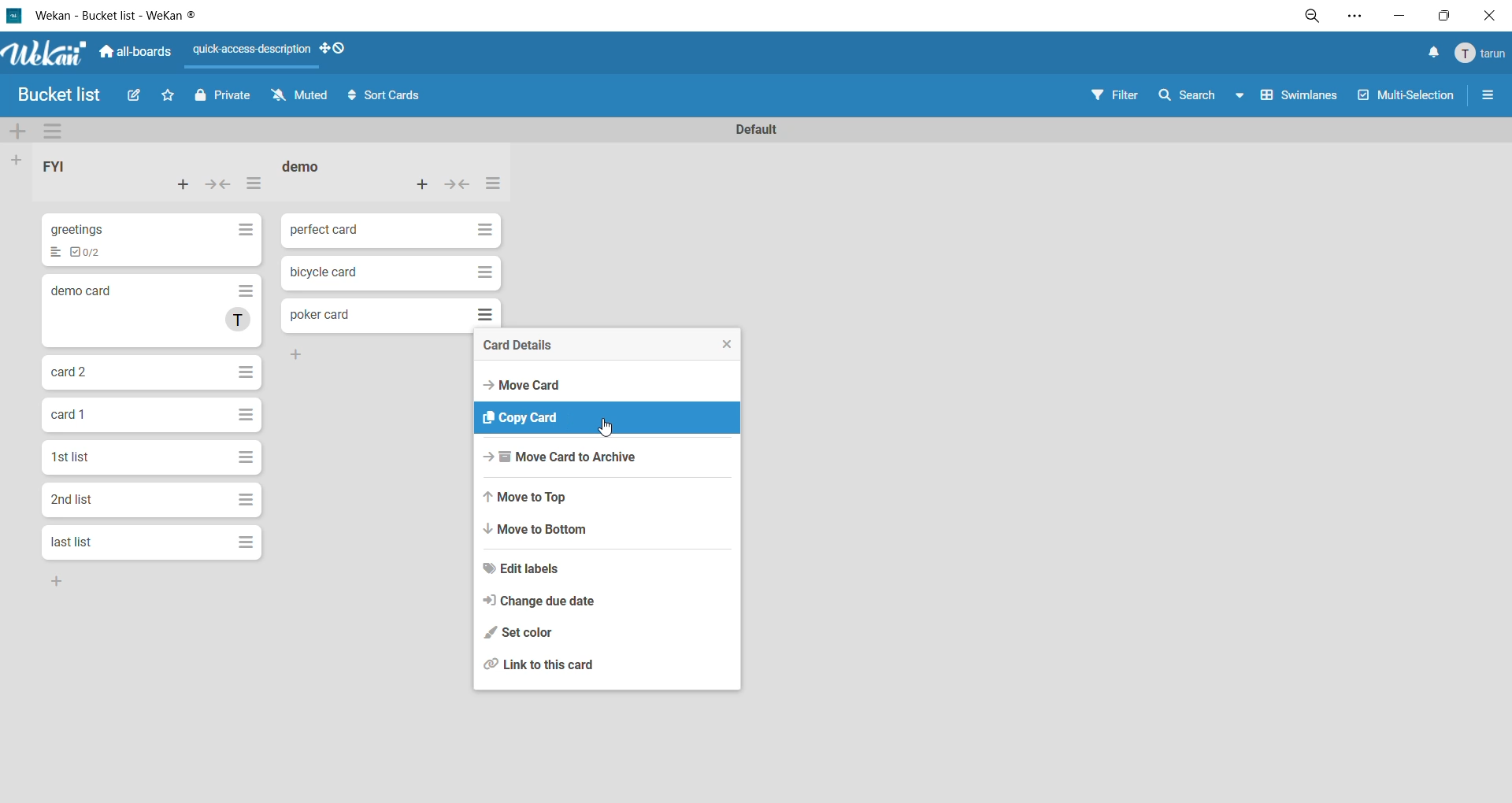 This screenshot has height=803, width=1512. I want to click on maximize, so click(1442, 16).